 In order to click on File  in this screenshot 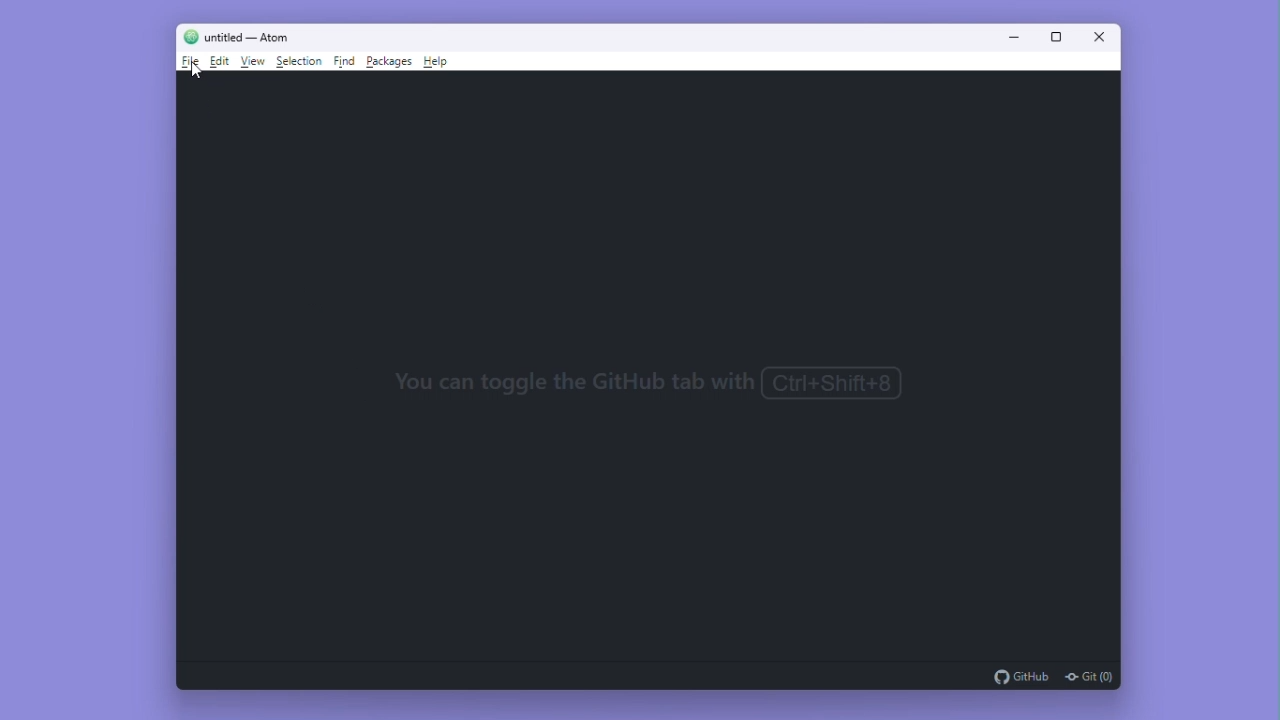, I will do `click(189, 61)`.